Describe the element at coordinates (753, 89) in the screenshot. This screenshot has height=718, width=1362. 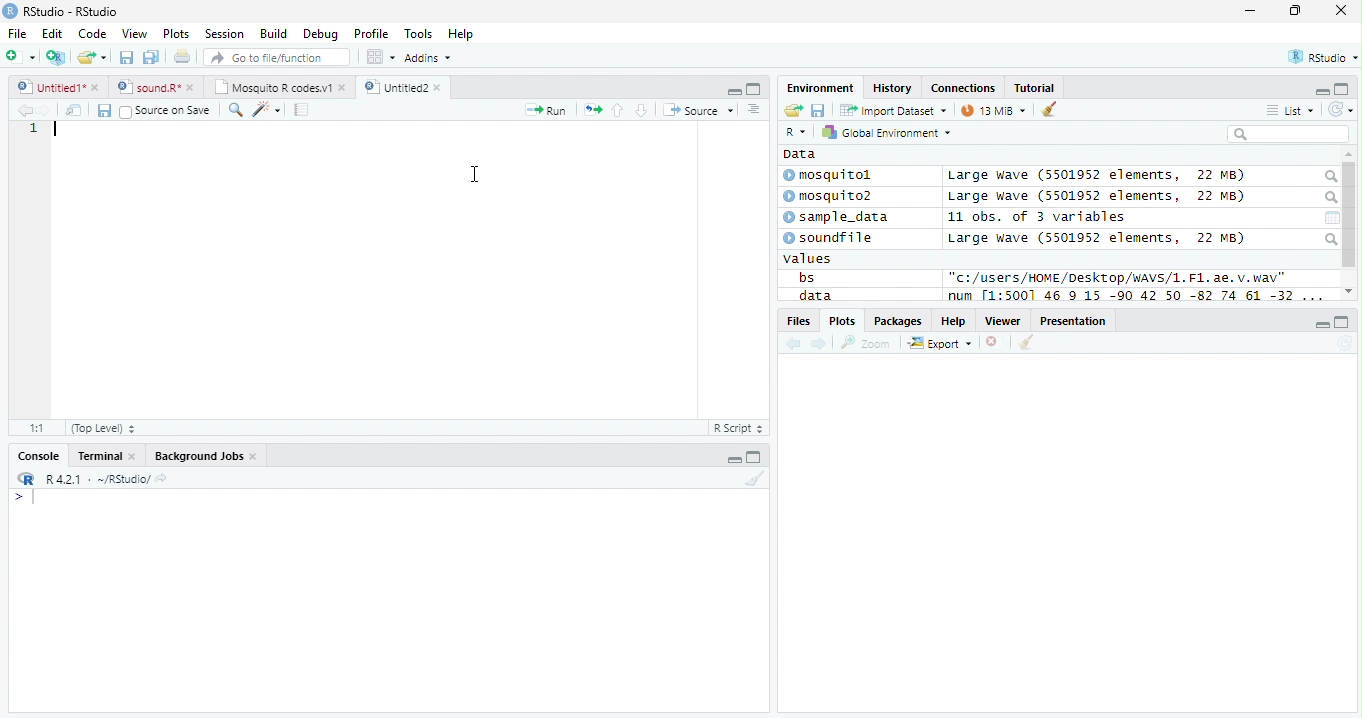
I see `Full screen` at that location.